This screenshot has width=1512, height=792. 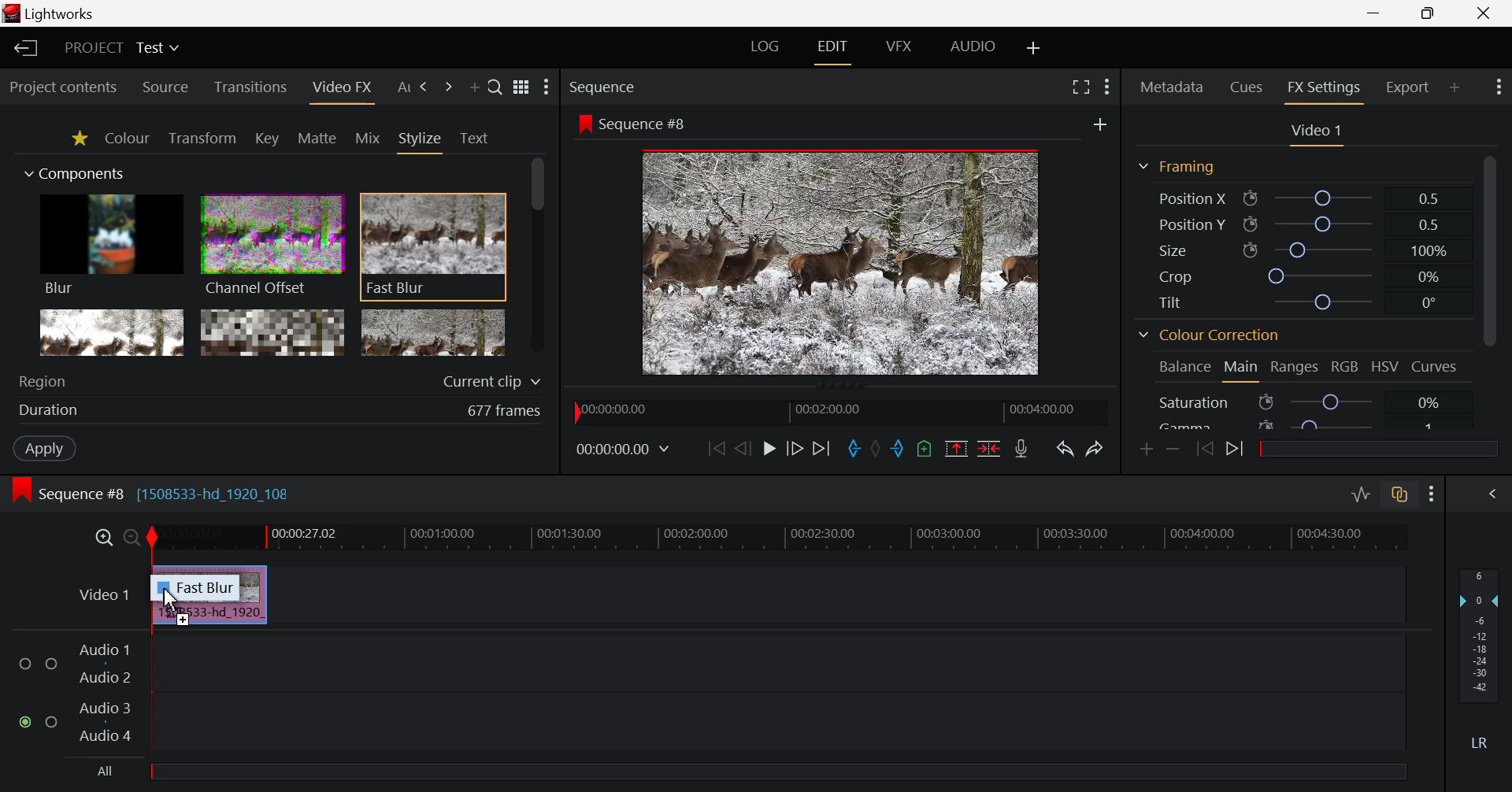 What do you see at coordinates (743, 449) in the screenshot?
I see `Go Back` at bounding box center [743, 449].